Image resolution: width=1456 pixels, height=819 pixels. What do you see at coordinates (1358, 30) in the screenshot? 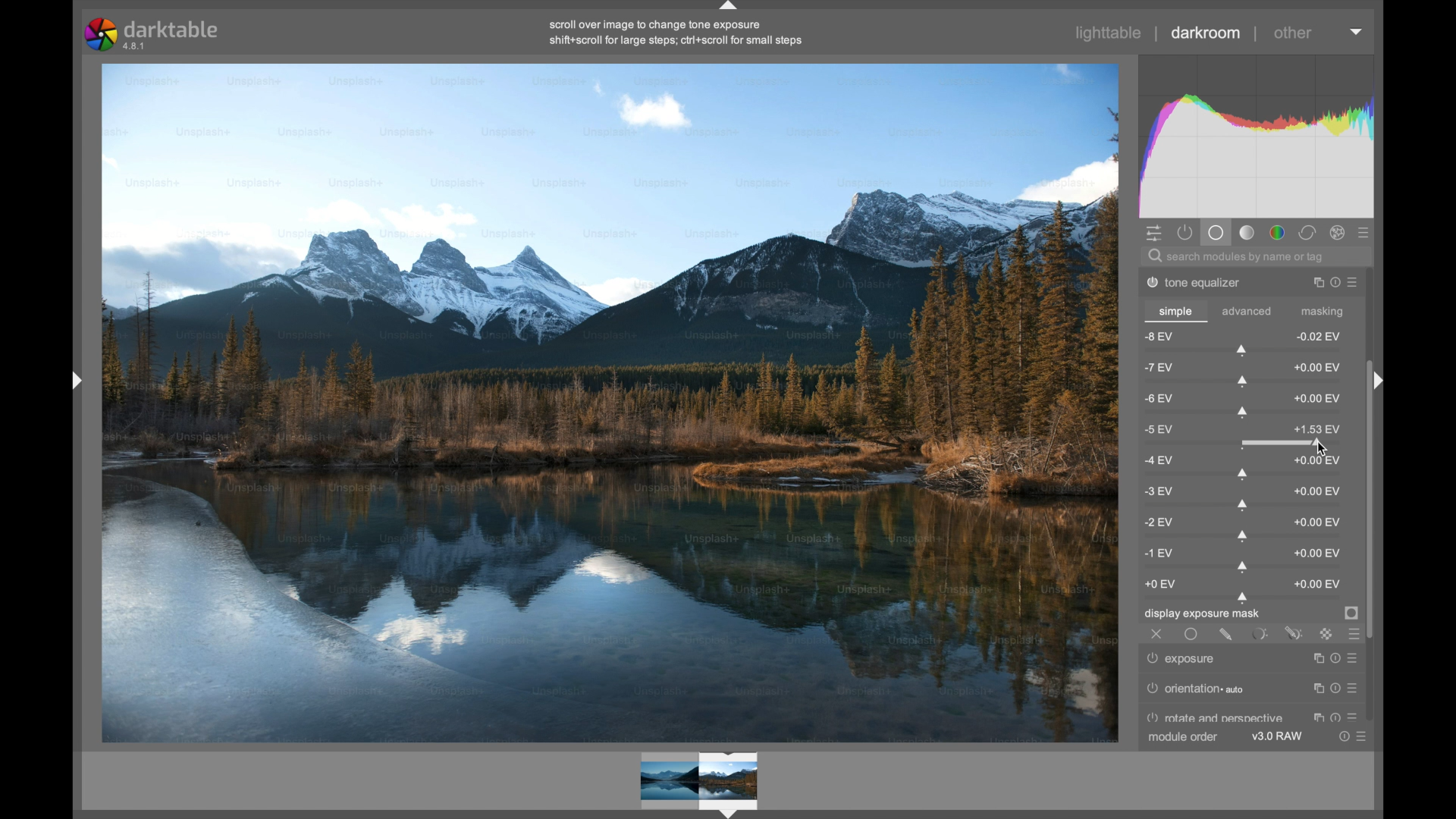
I see `dropdown ` at bounding box center [1358, 30].